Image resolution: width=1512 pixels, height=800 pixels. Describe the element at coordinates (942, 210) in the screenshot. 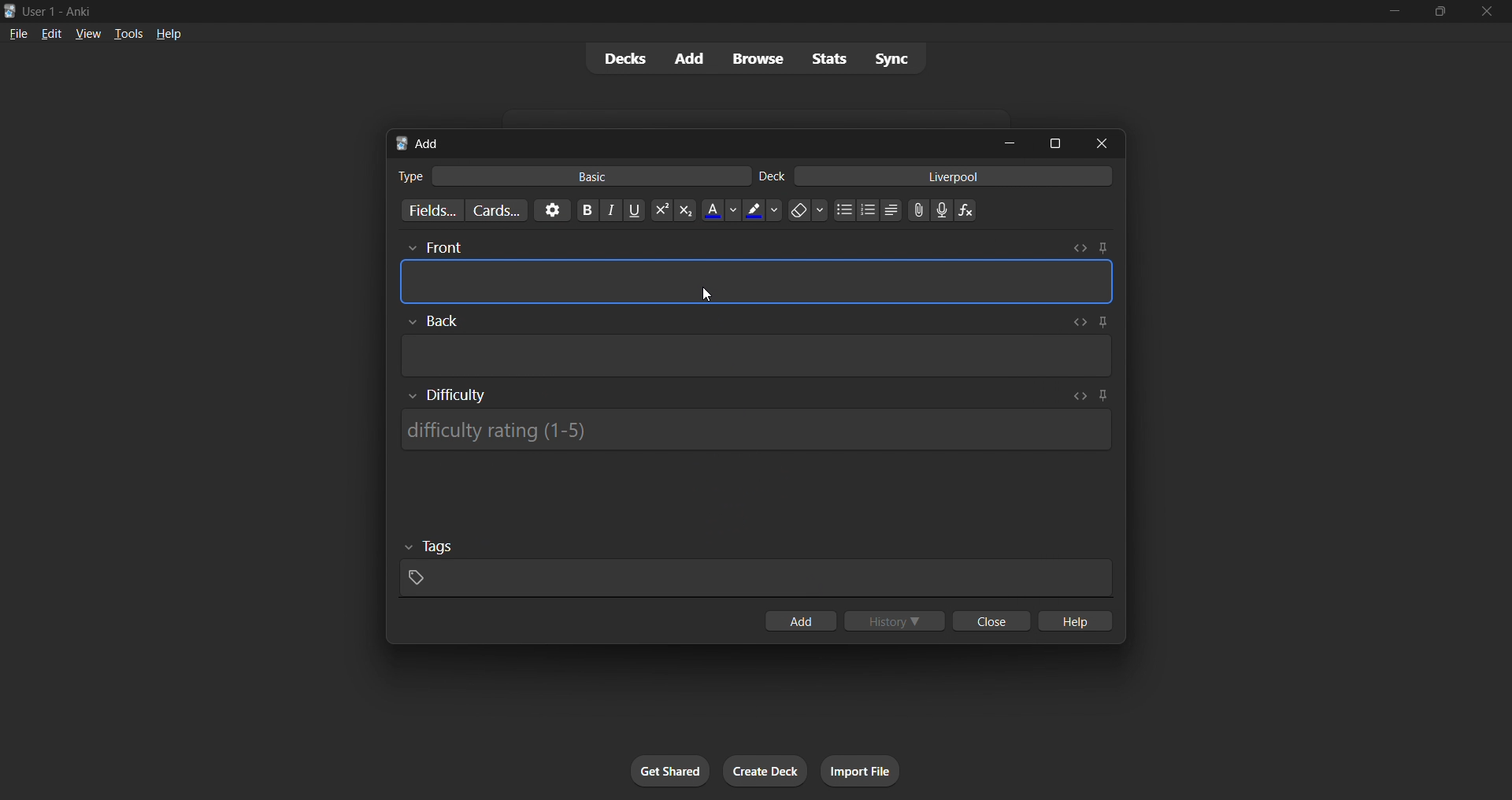

I see `Record audio` at that location.